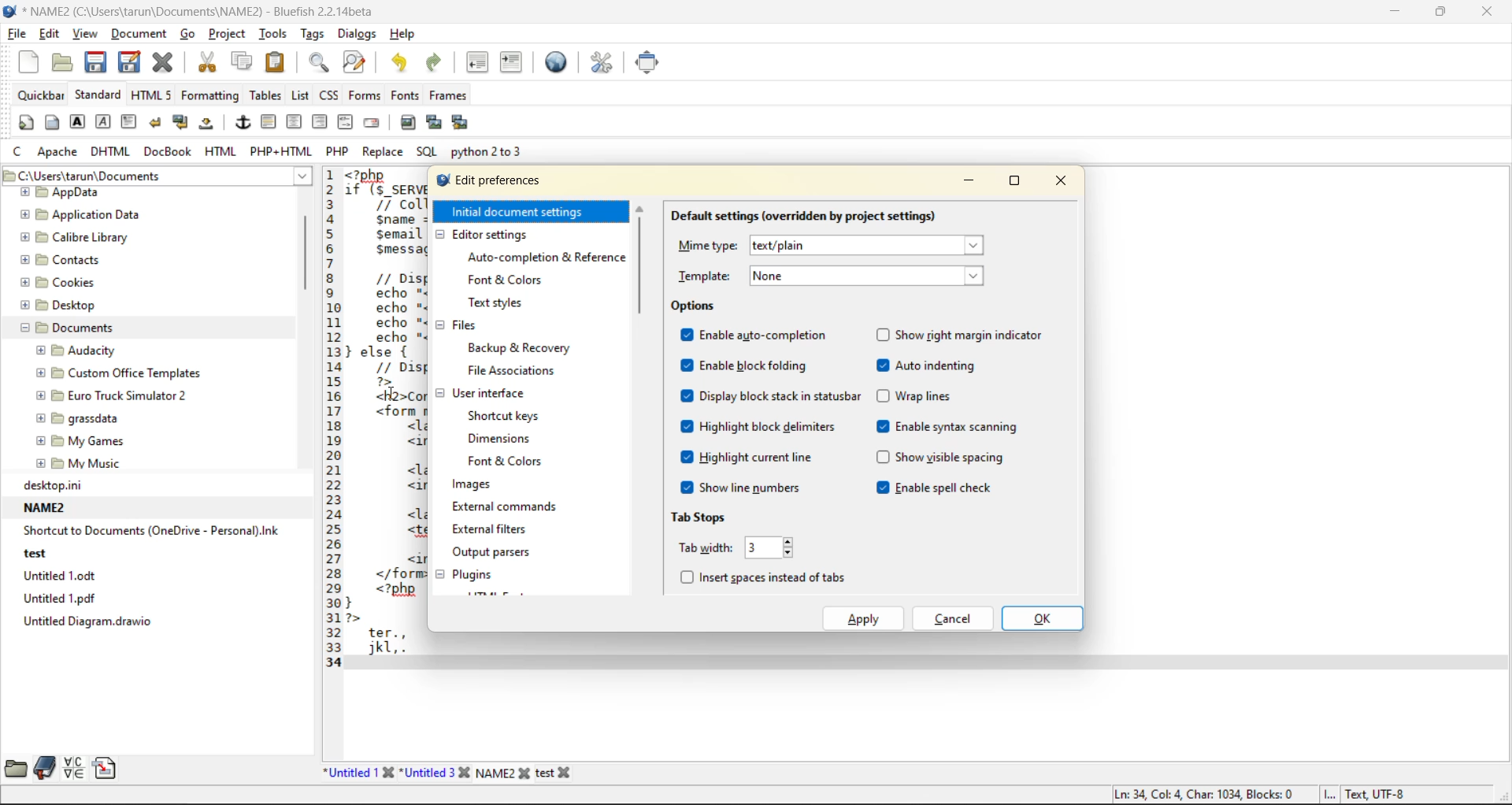 The image size is (1512, 805). What do you see at coordinates (497, 236) in the screenshot?
I see `editor settings` at bounding box center [497, 236].